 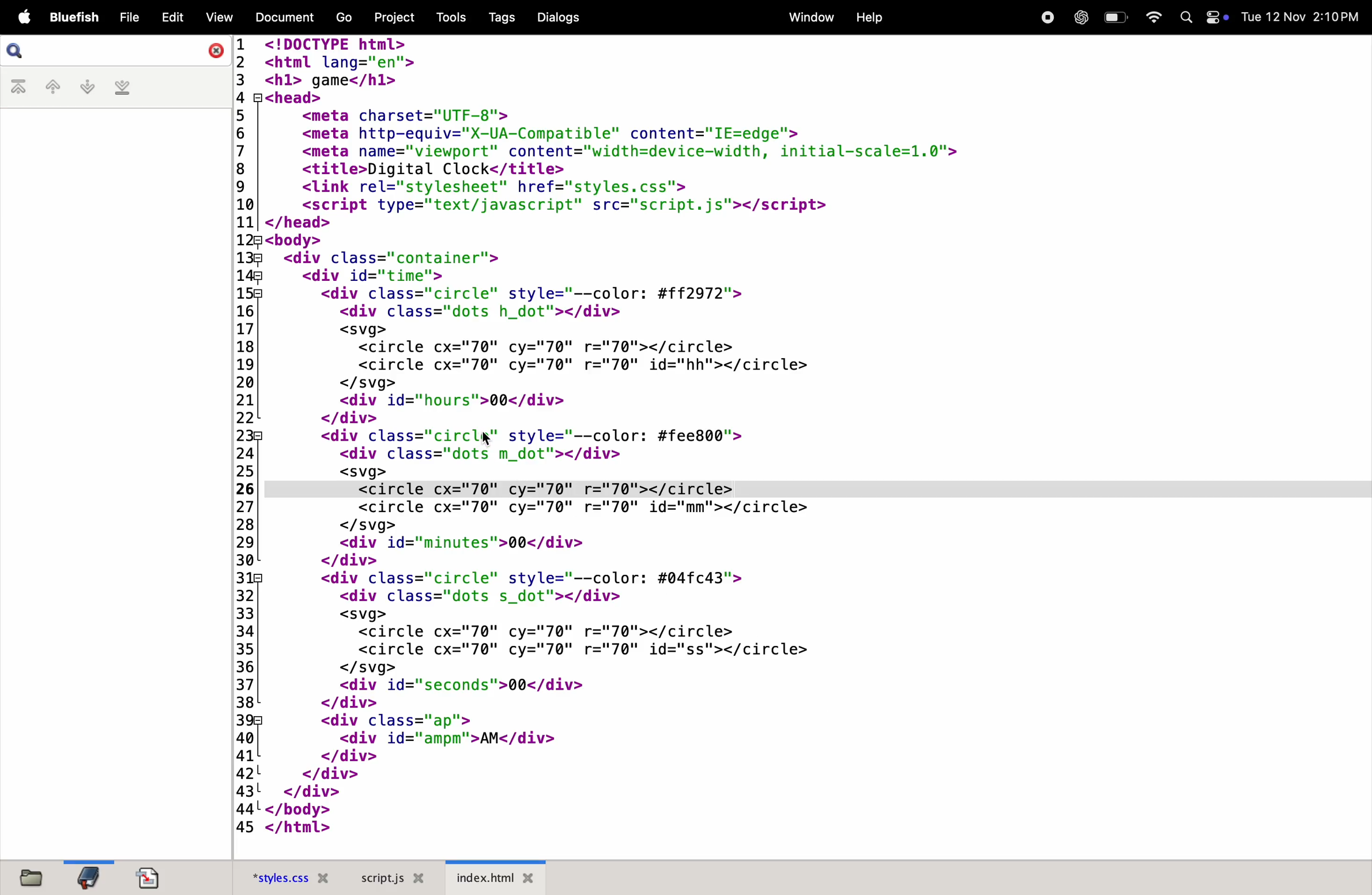 What do you see at coordinates (18, 88) in the screenshot?
I see `first bookmark` at bounding box center [18, 88].